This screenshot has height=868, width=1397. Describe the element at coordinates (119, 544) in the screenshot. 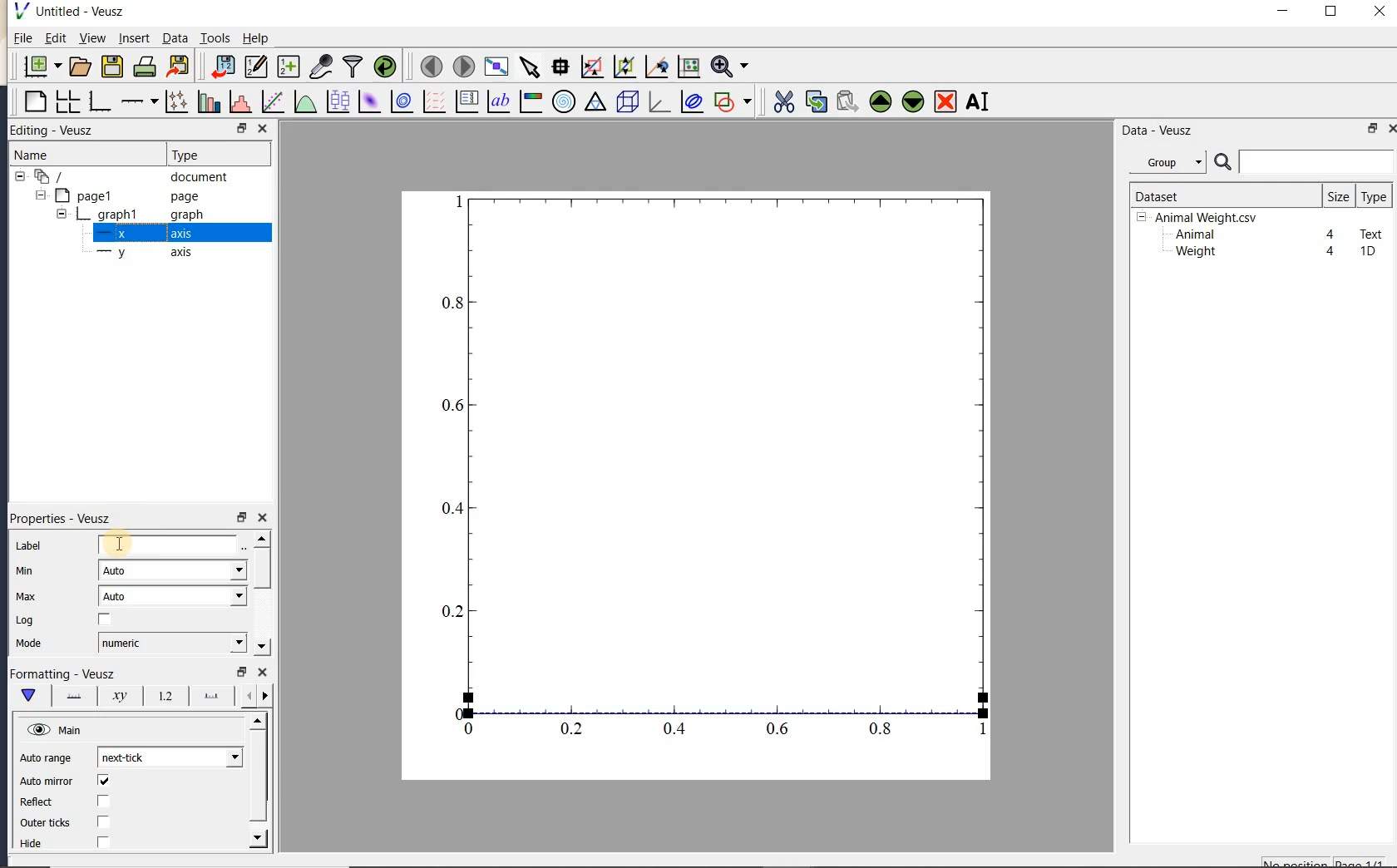

I see `cursor` at that location.